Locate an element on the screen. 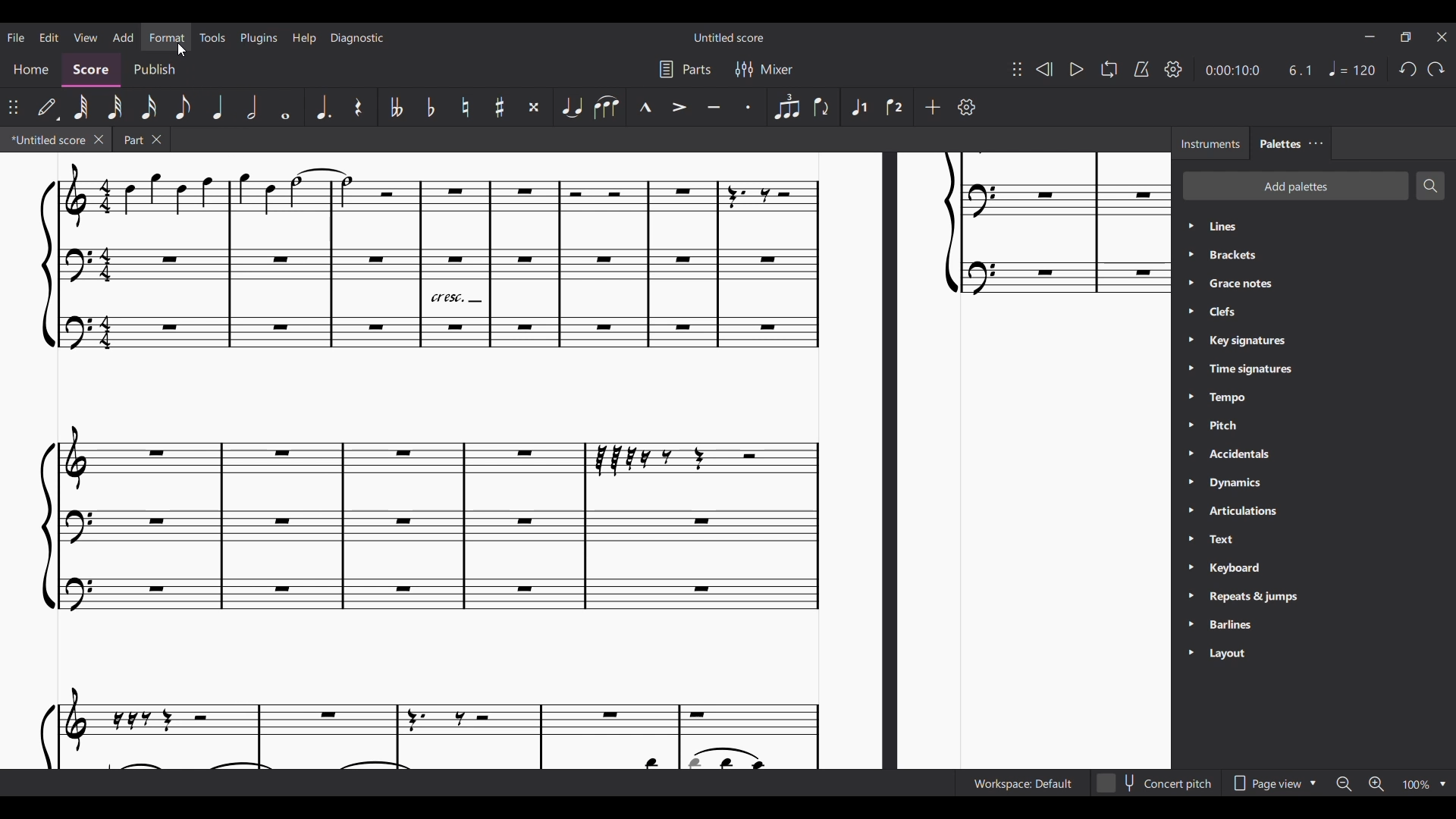 This screenshot has height=819, width=1456. Publish section is located at coordinates (154, 70).